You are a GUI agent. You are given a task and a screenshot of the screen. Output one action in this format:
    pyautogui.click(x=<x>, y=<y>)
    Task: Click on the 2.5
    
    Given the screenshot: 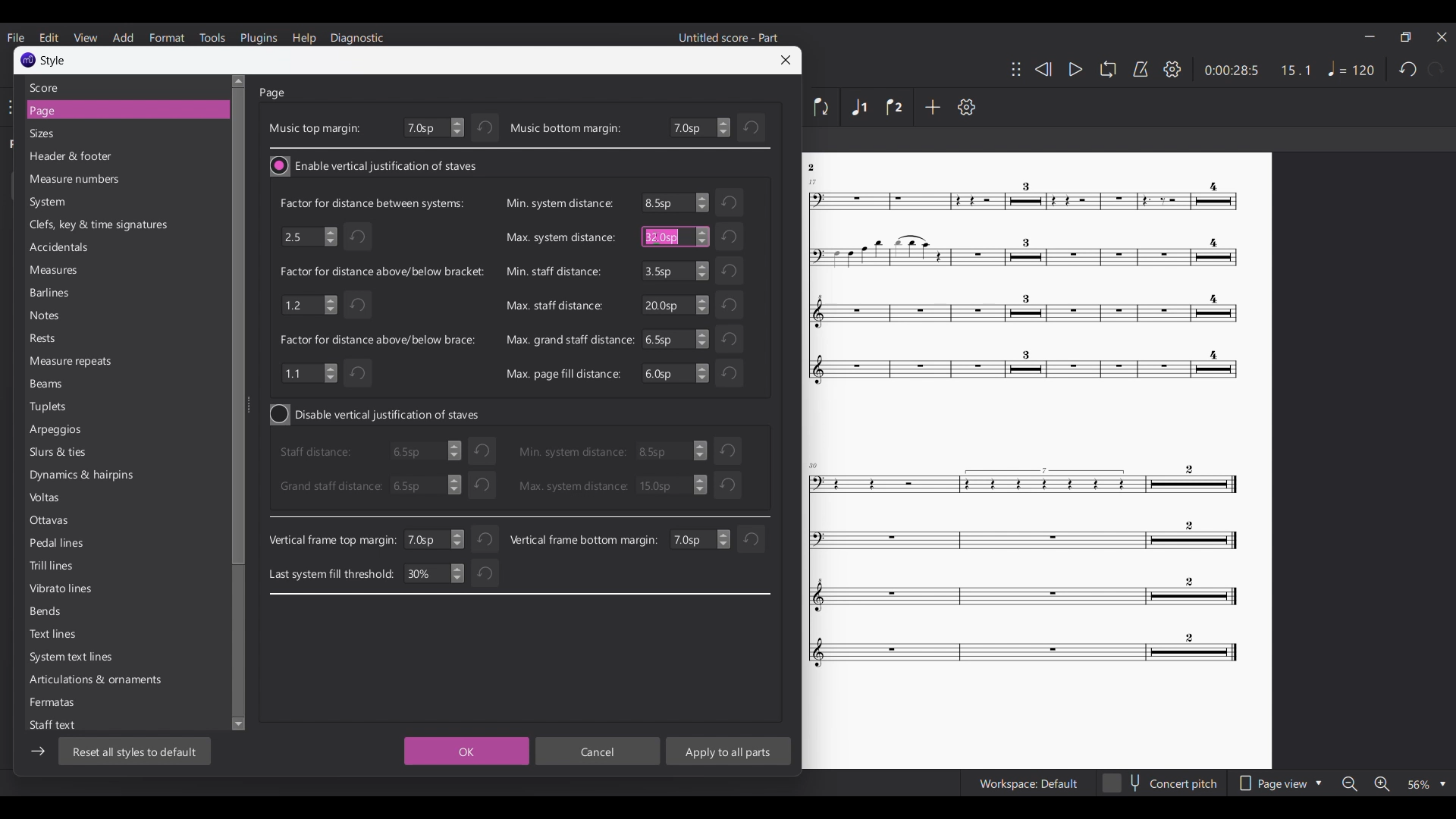 What is the action you would take?
    pyautogui.click(x=308, y=235)
    